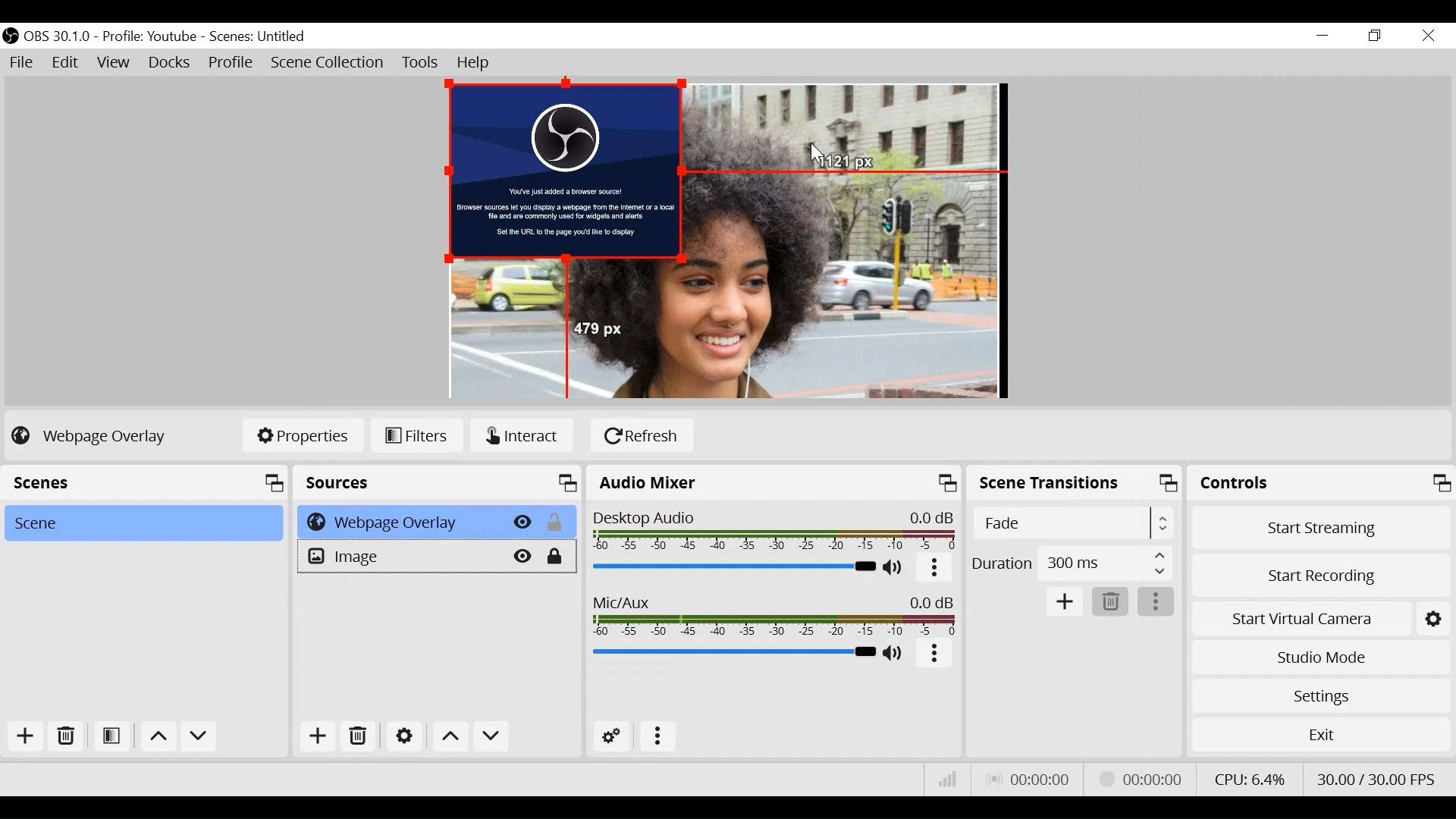 Image resolution: width=1456 pixels, height=819 pixels. Describe the element at coordinates (1064, 602) in the screenshot. I see `Add` at that location.